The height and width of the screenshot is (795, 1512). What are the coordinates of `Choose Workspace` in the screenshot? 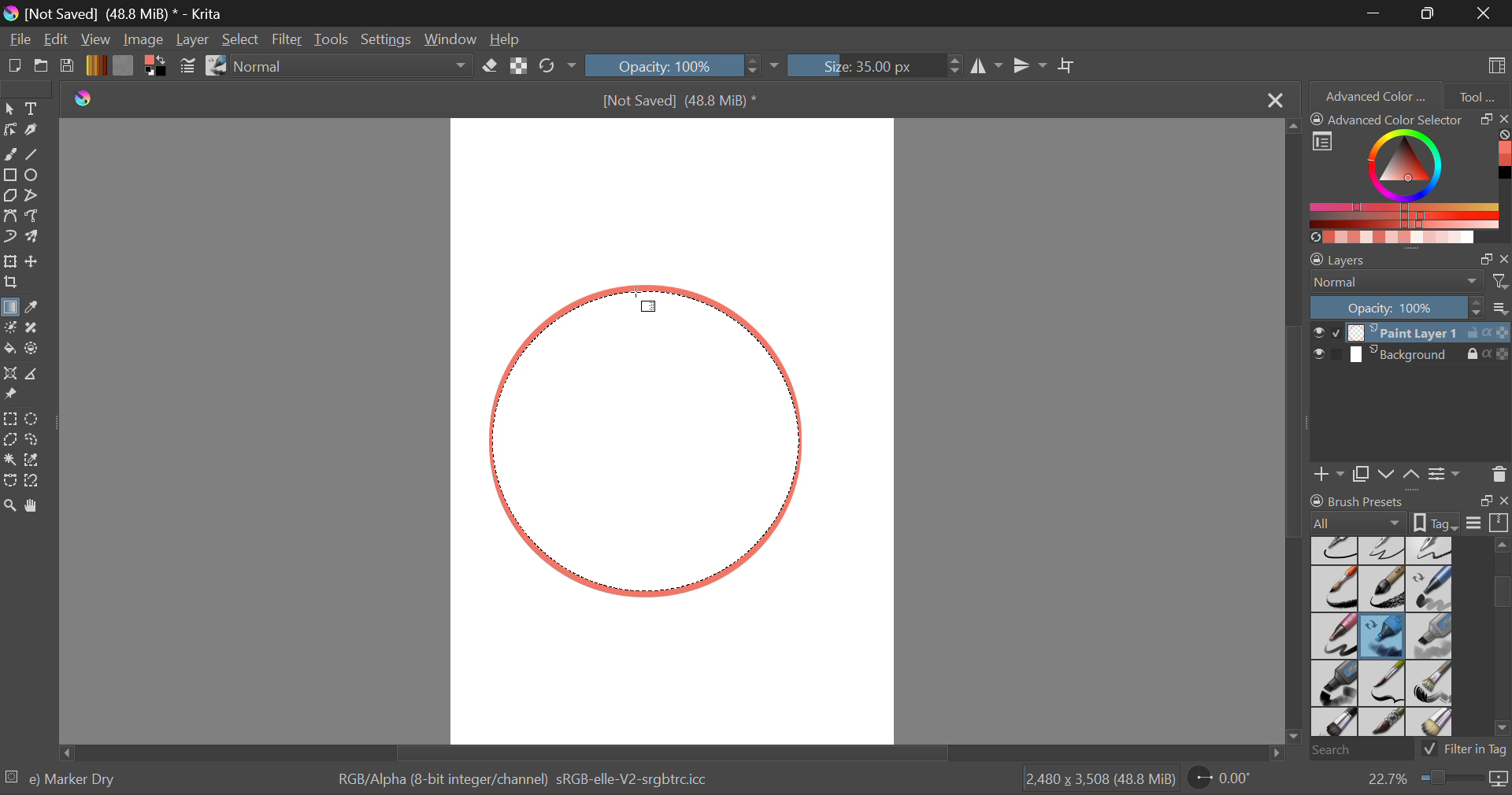 It's located at (1494, 64).